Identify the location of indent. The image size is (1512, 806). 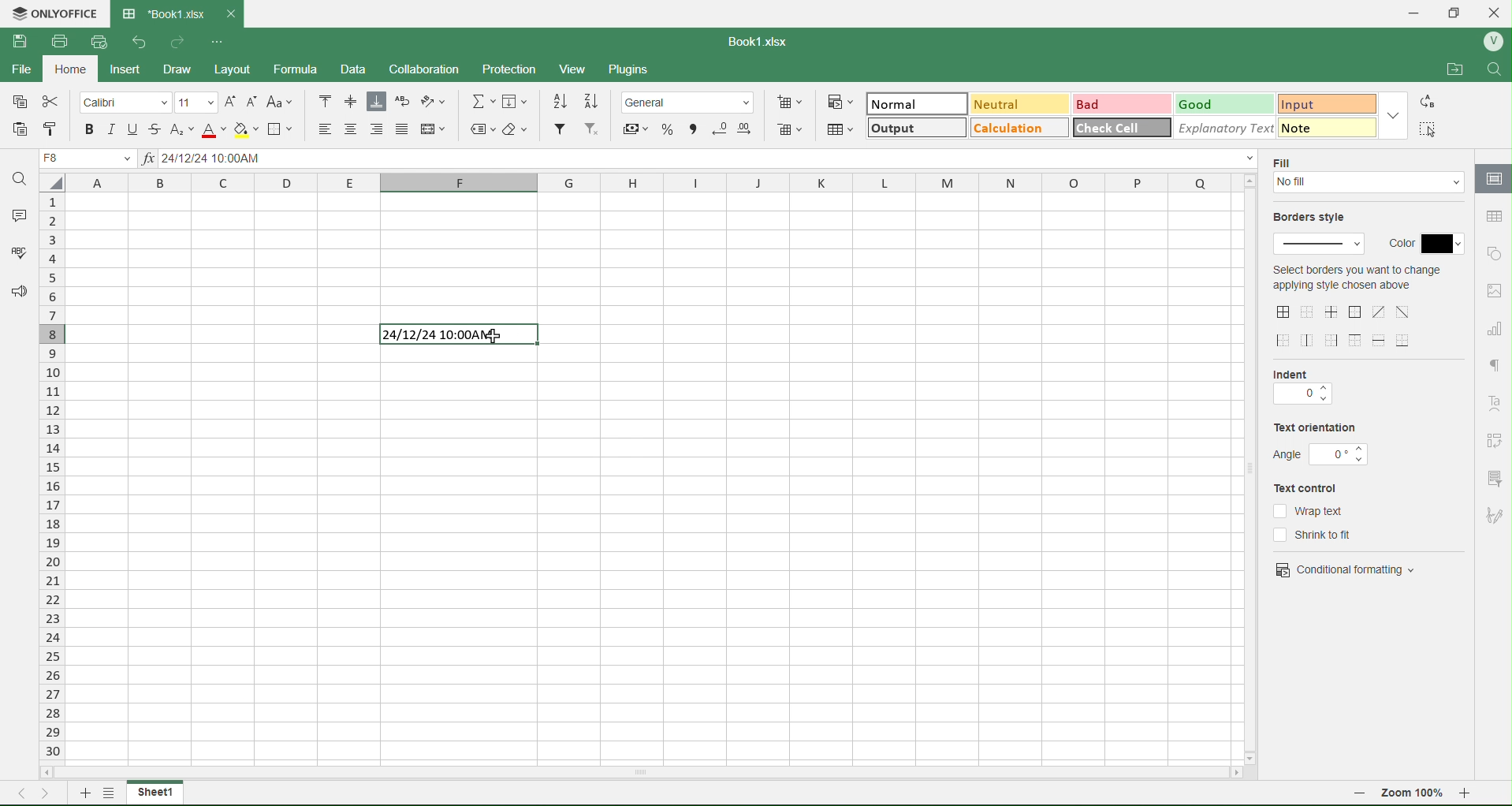
(1299, 373).